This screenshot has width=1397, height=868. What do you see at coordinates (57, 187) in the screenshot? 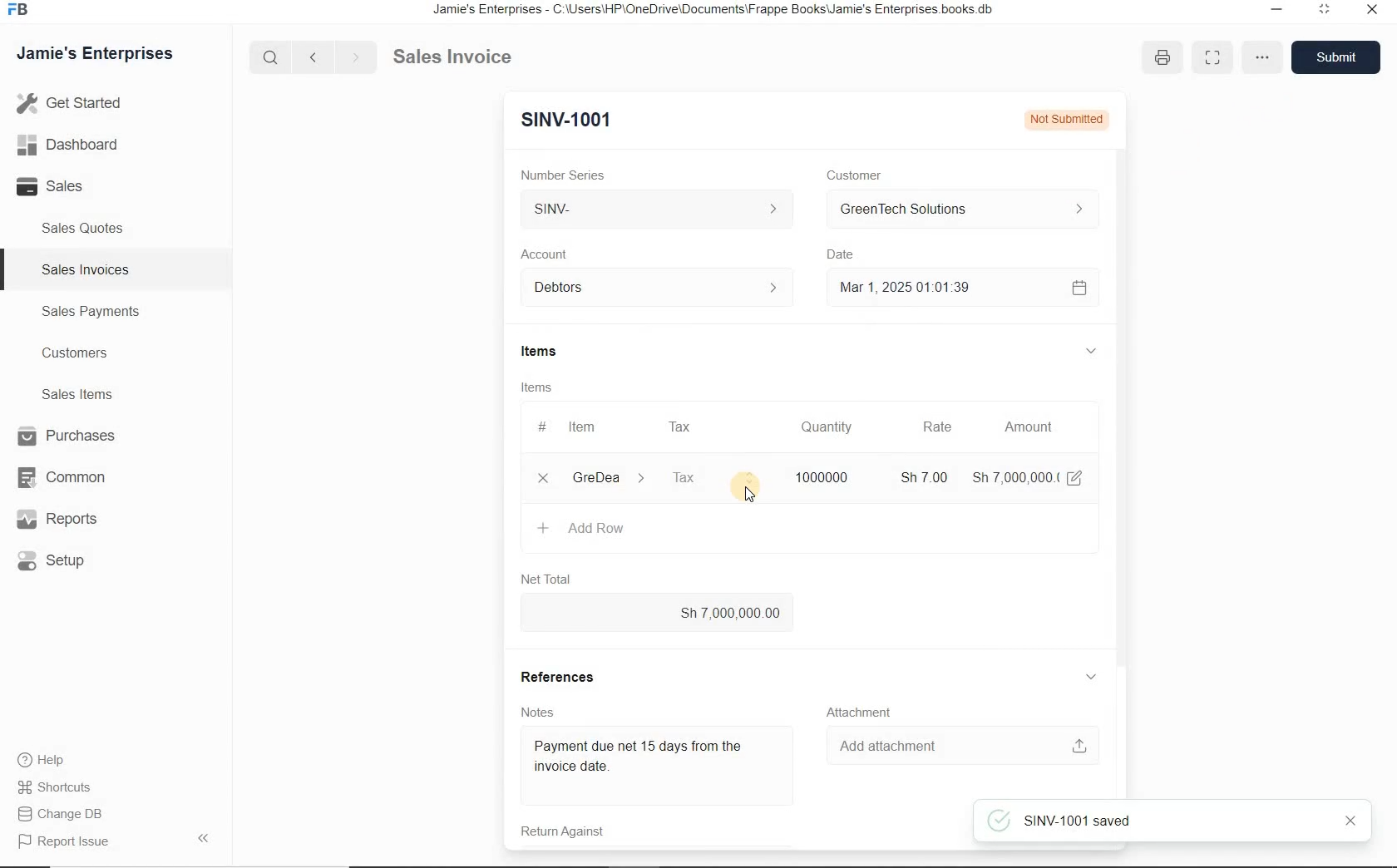
I see `Sales` at bounding box center [57, 187].